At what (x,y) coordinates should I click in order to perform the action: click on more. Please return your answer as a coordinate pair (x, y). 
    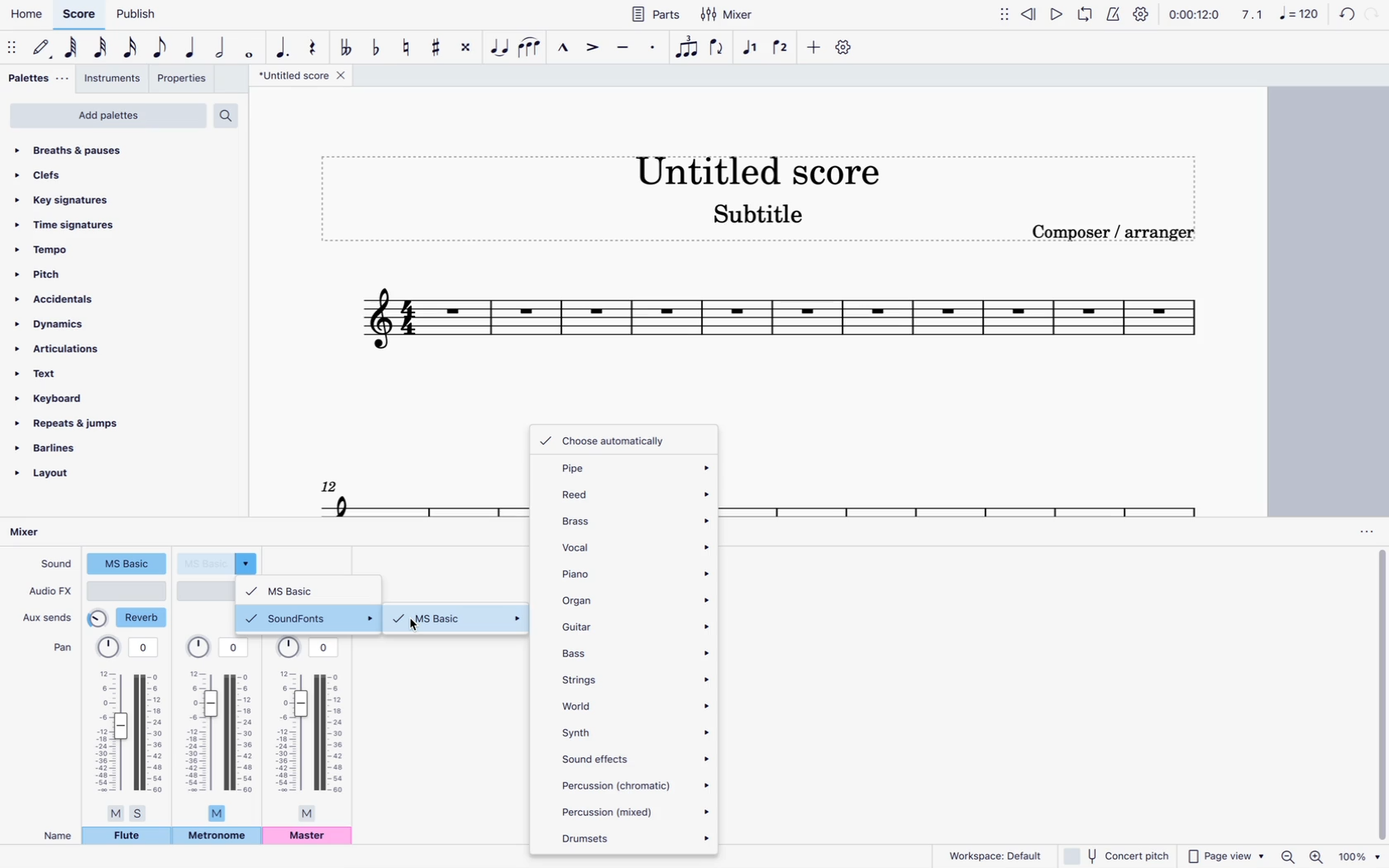
    Looking at the image, I should click on (814, 48).